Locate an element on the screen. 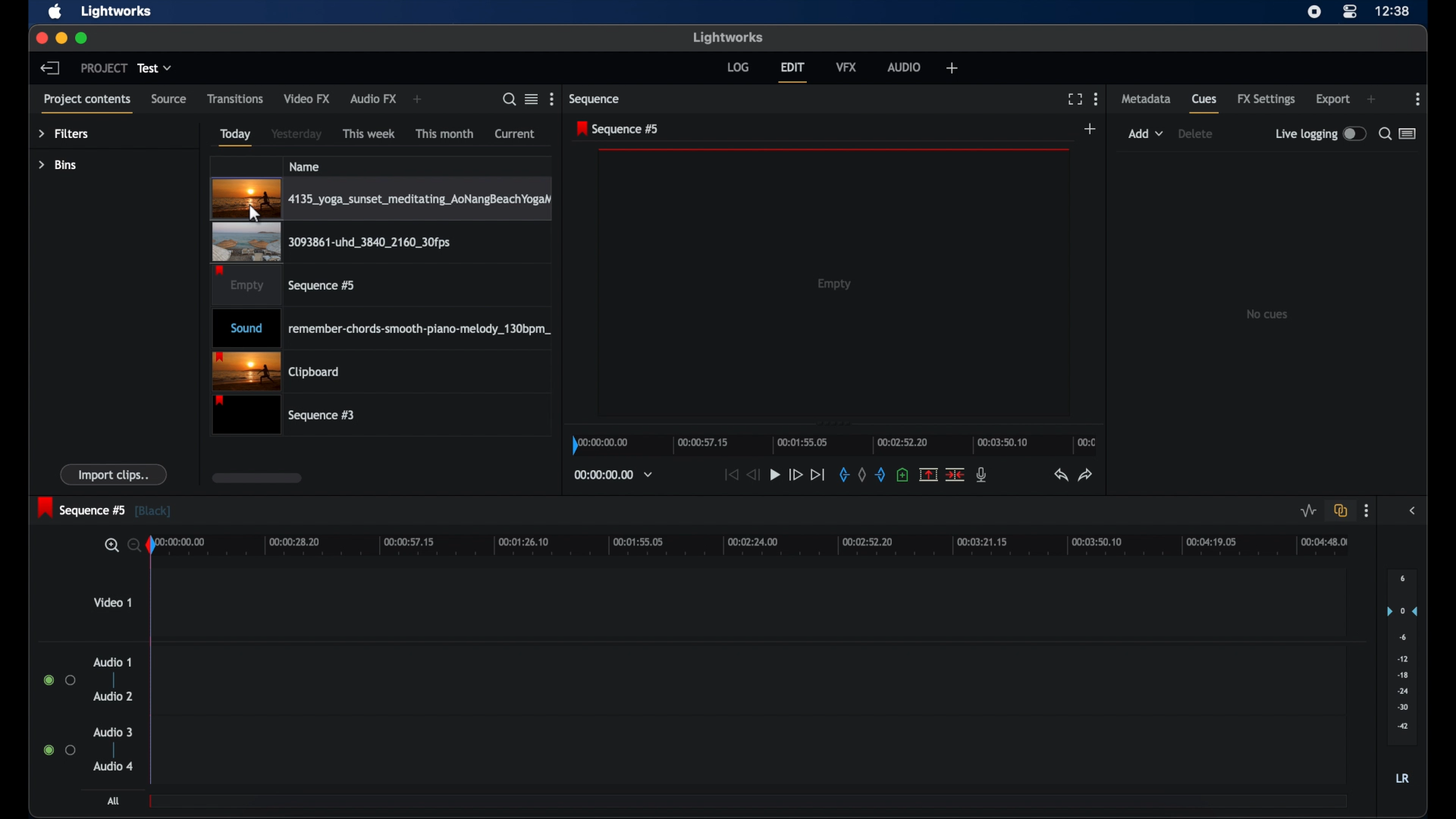 This screenshot has width=1456, height=819. rewind is located at coordinates (754, 475).